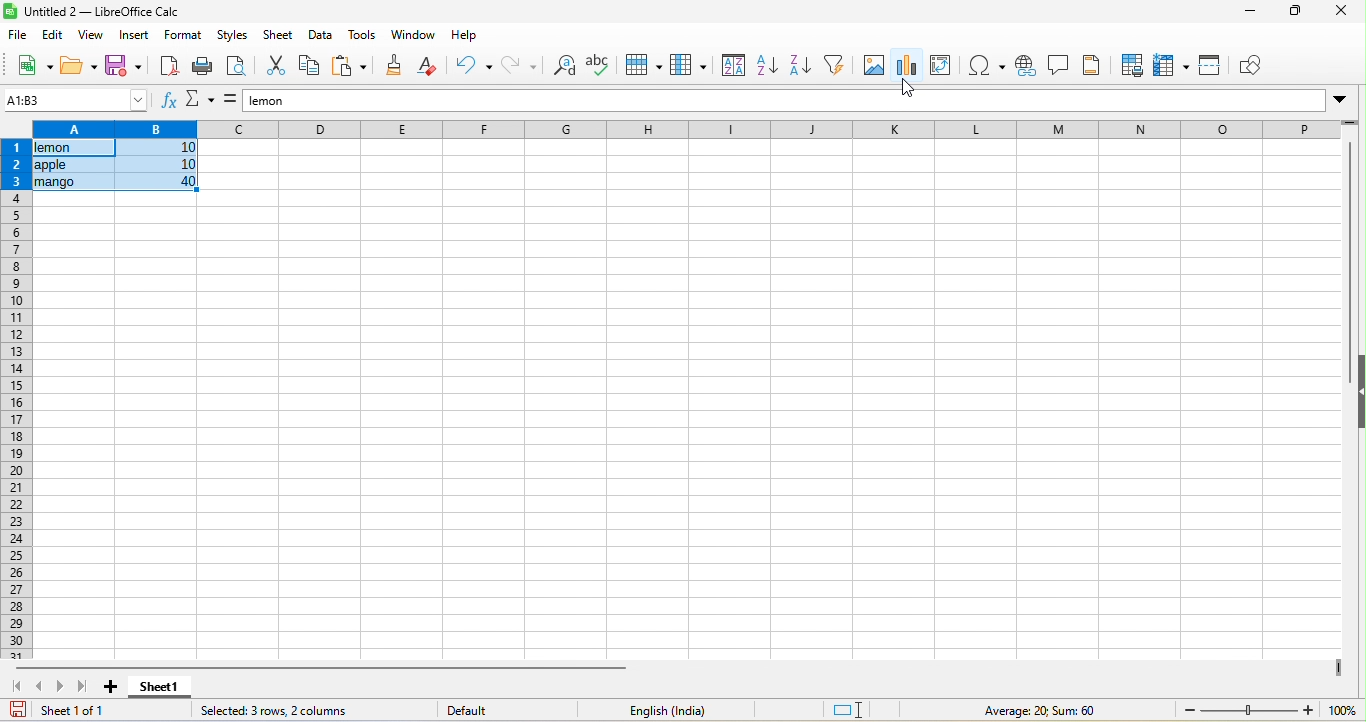 The width and height of the screenshot is (1366, 722). What do you see at coordinates (1345, 711) in the screenshot?
I see `zoom` at bounding box center [1345, 711].